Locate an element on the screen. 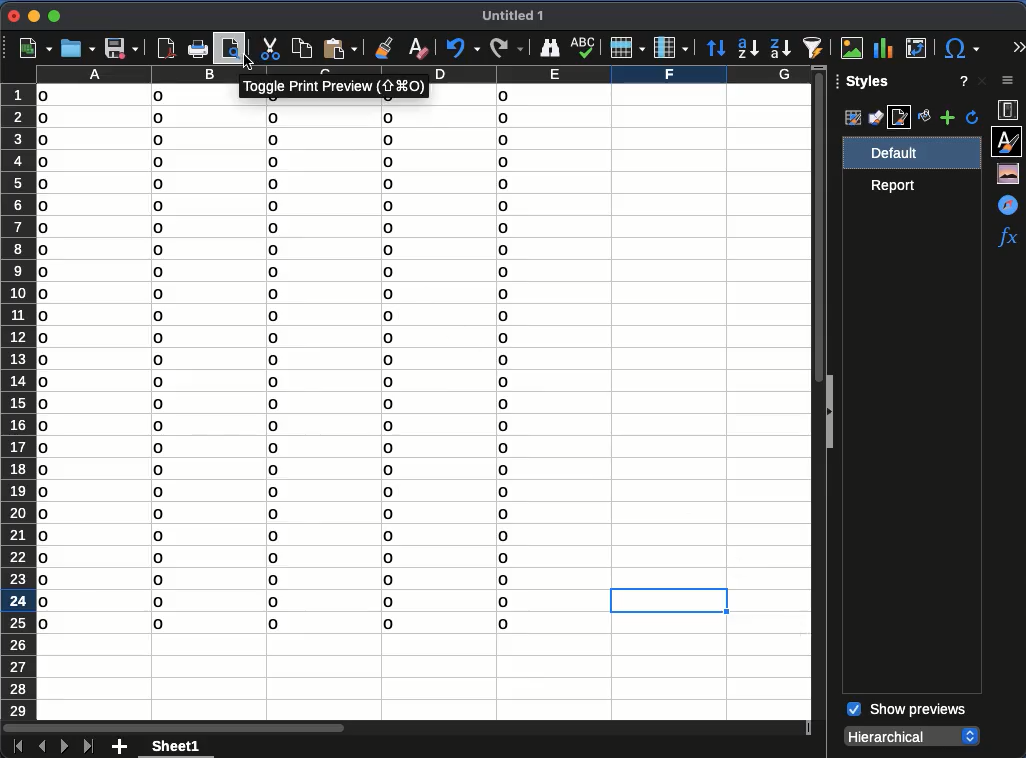 The image size is (1026, 758). add is located at coordinates (121, 747).